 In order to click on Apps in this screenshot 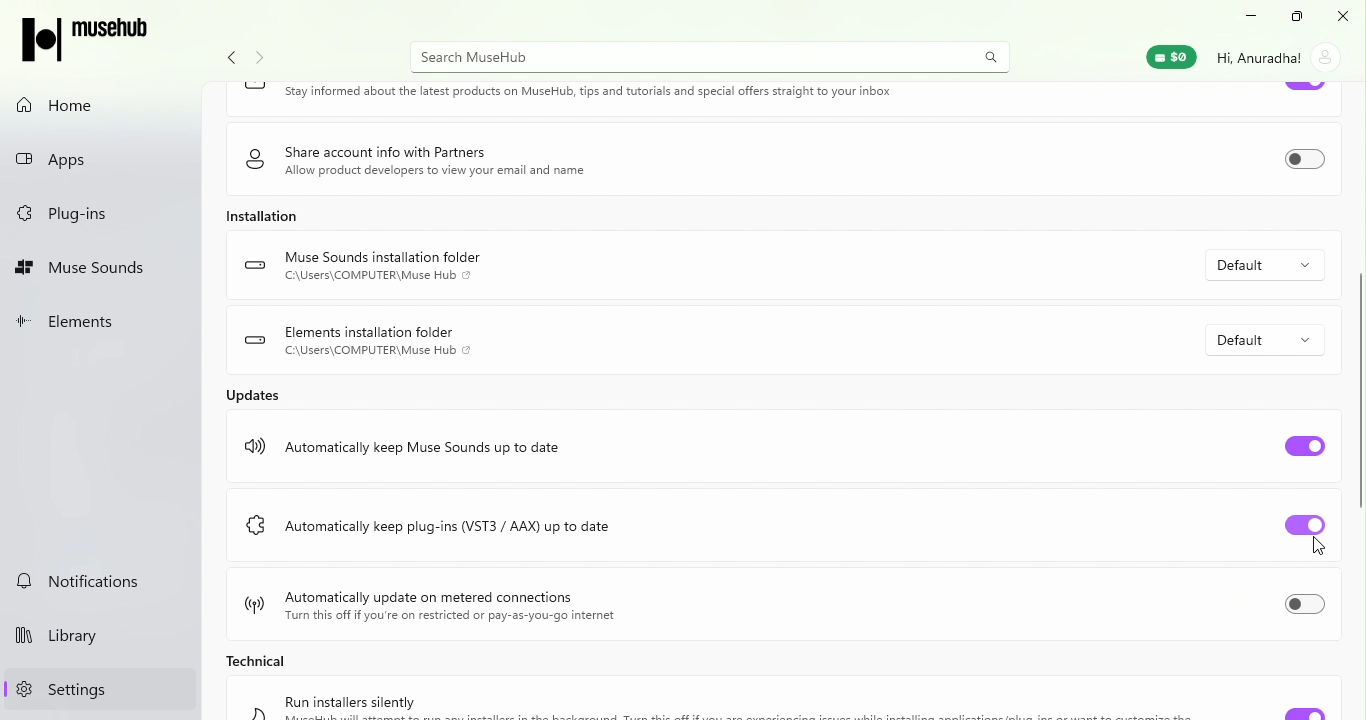, I will do `click(99, 164)`.